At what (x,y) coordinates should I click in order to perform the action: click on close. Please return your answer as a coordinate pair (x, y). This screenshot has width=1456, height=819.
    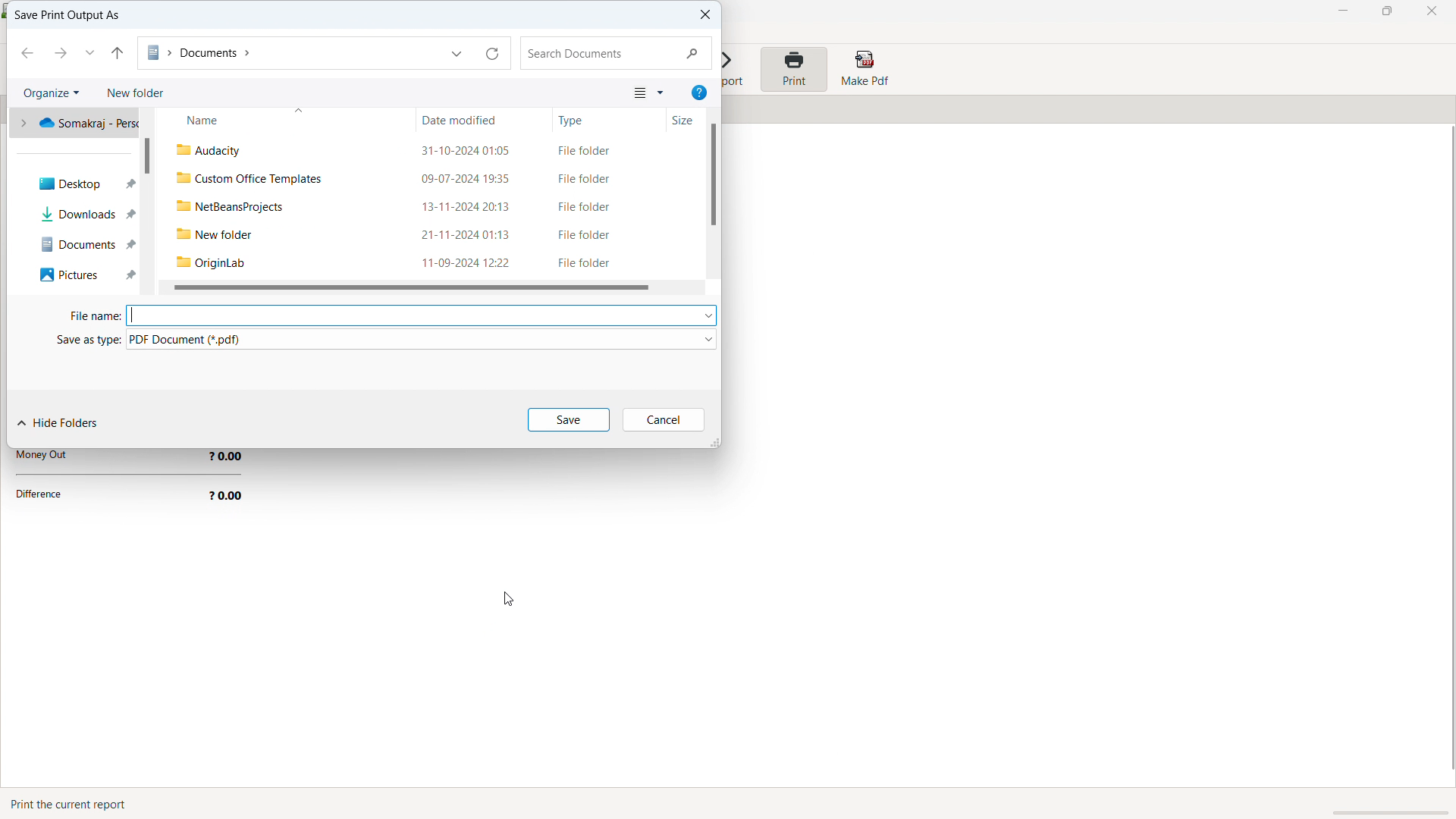
    Looking at the image, I should click on (1431, 11).